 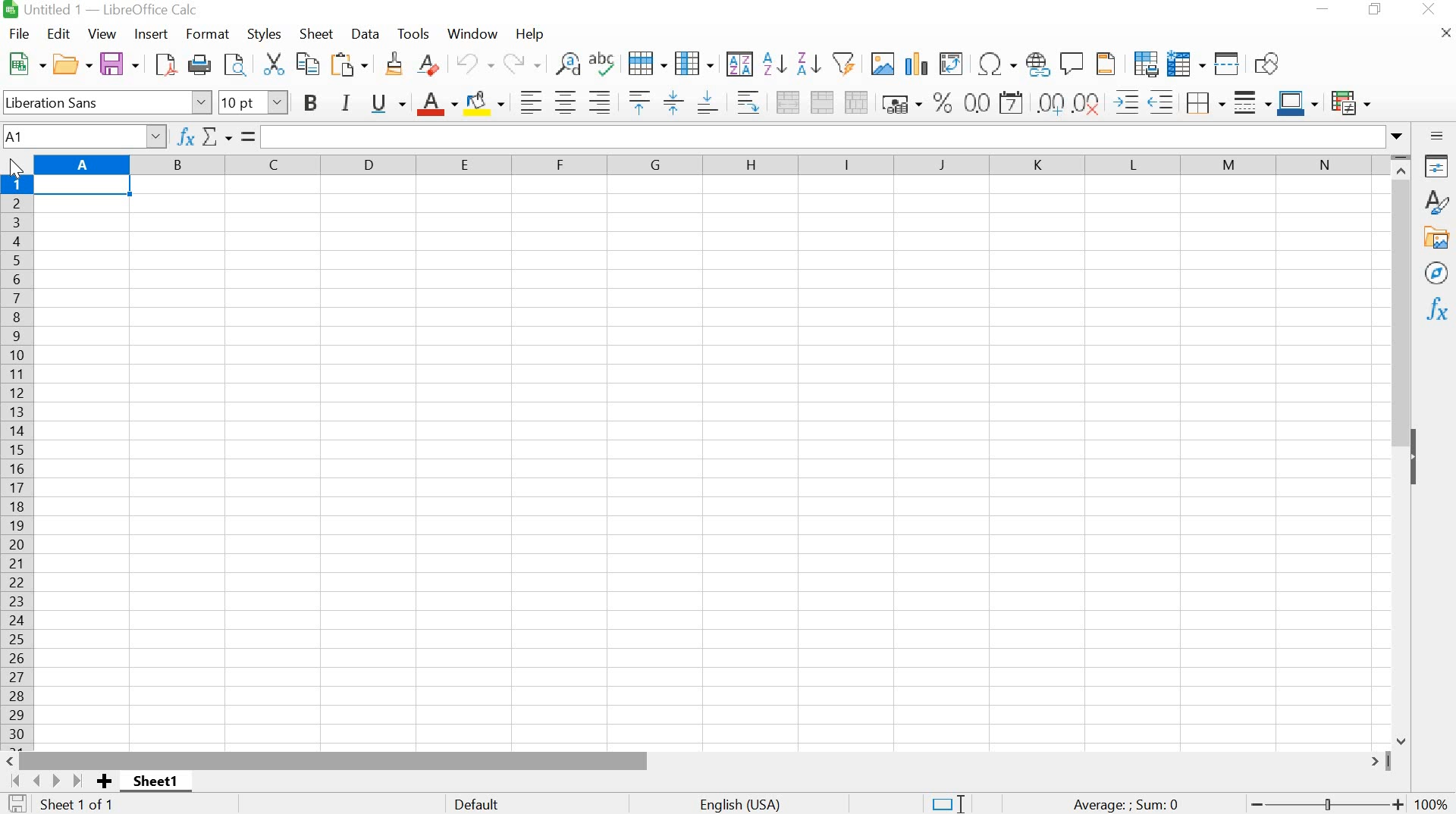 I want to click on ZOOM OUT OR ZOOM IN, so click(x=1329, y=803).